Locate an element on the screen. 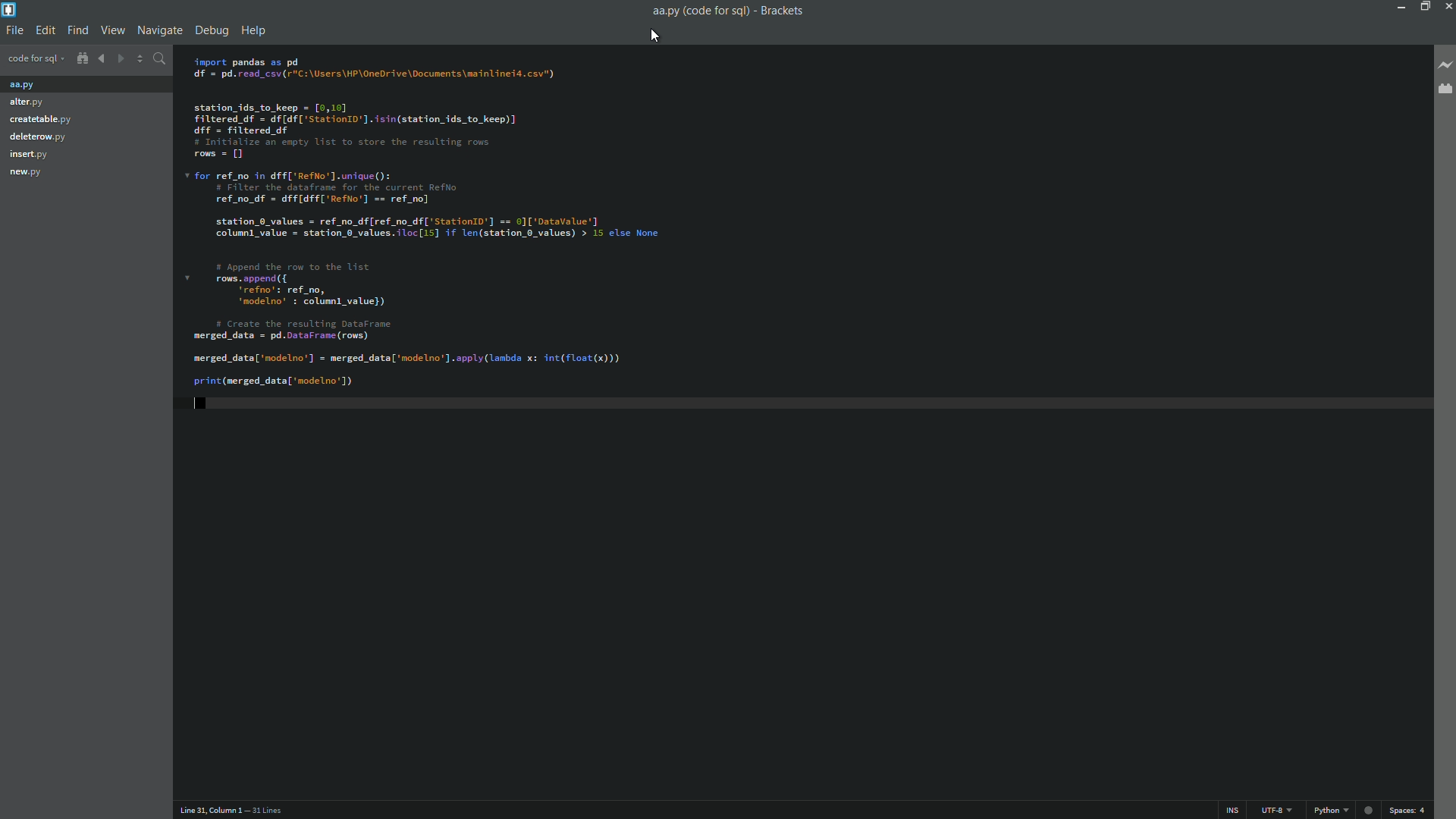 The height and width of the screenshot is (819, 1456). close app is located at coordinates (1447, 6).